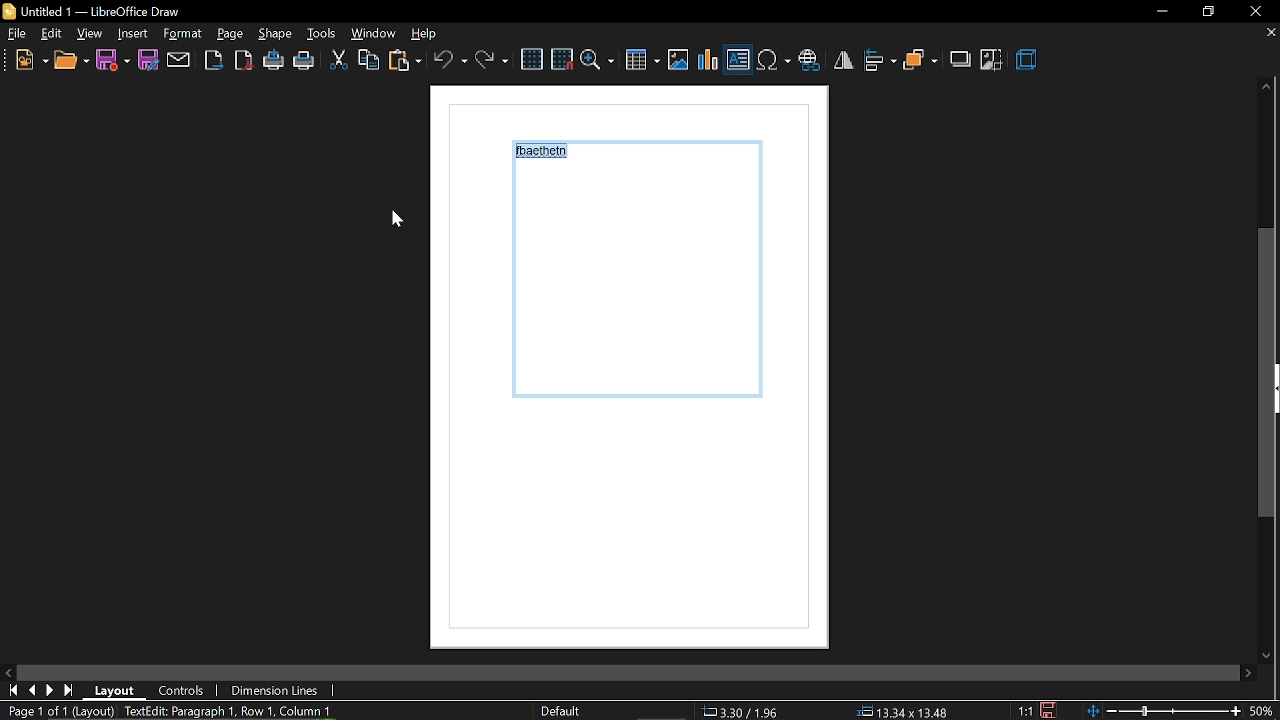  What do you see at coordinates (404, 62) in the screenshot?
I see `paste` at bounding box center [404, 62].